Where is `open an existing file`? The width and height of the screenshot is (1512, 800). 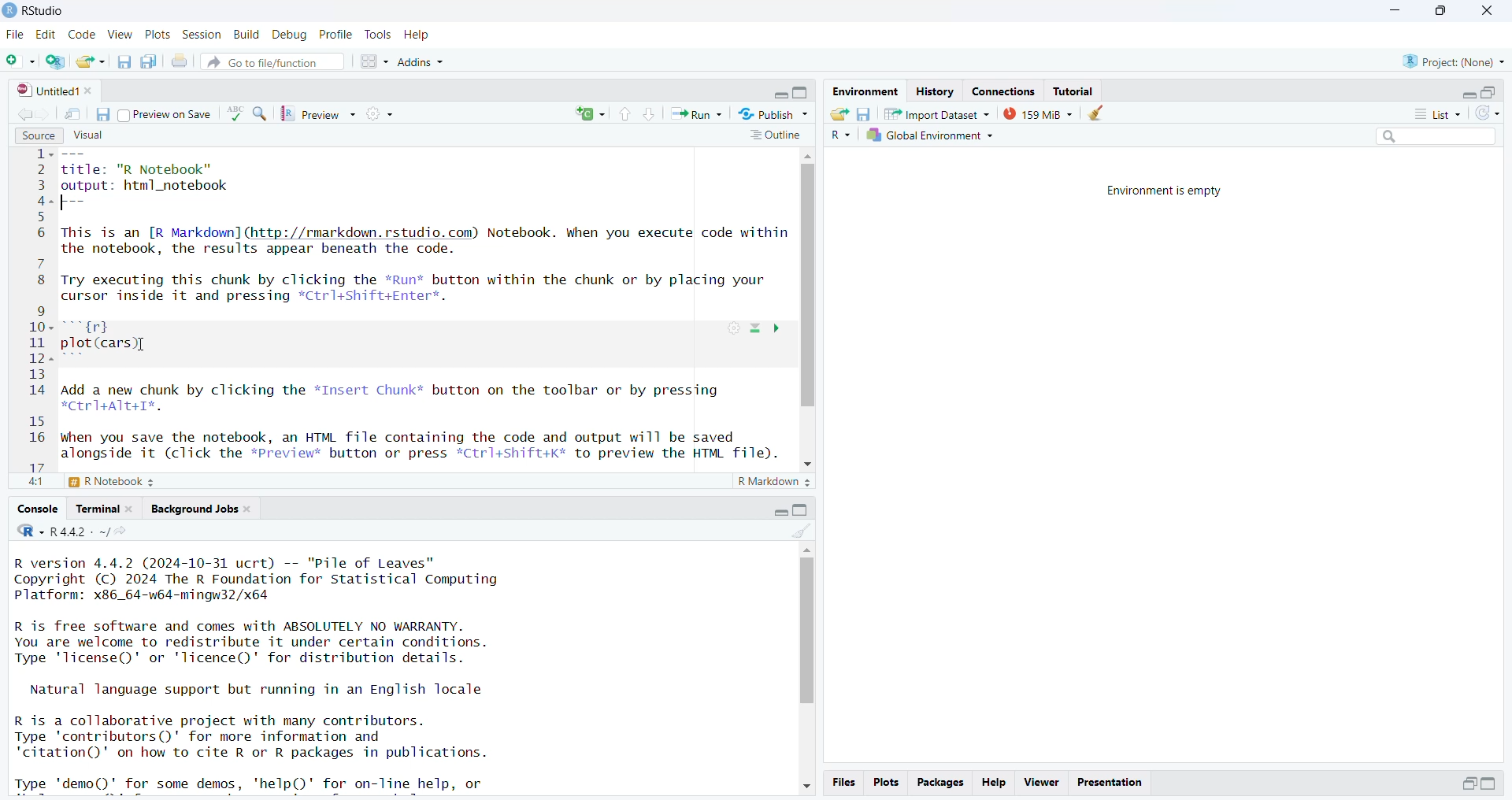 open an existing file is located at coordinates (91, 61).